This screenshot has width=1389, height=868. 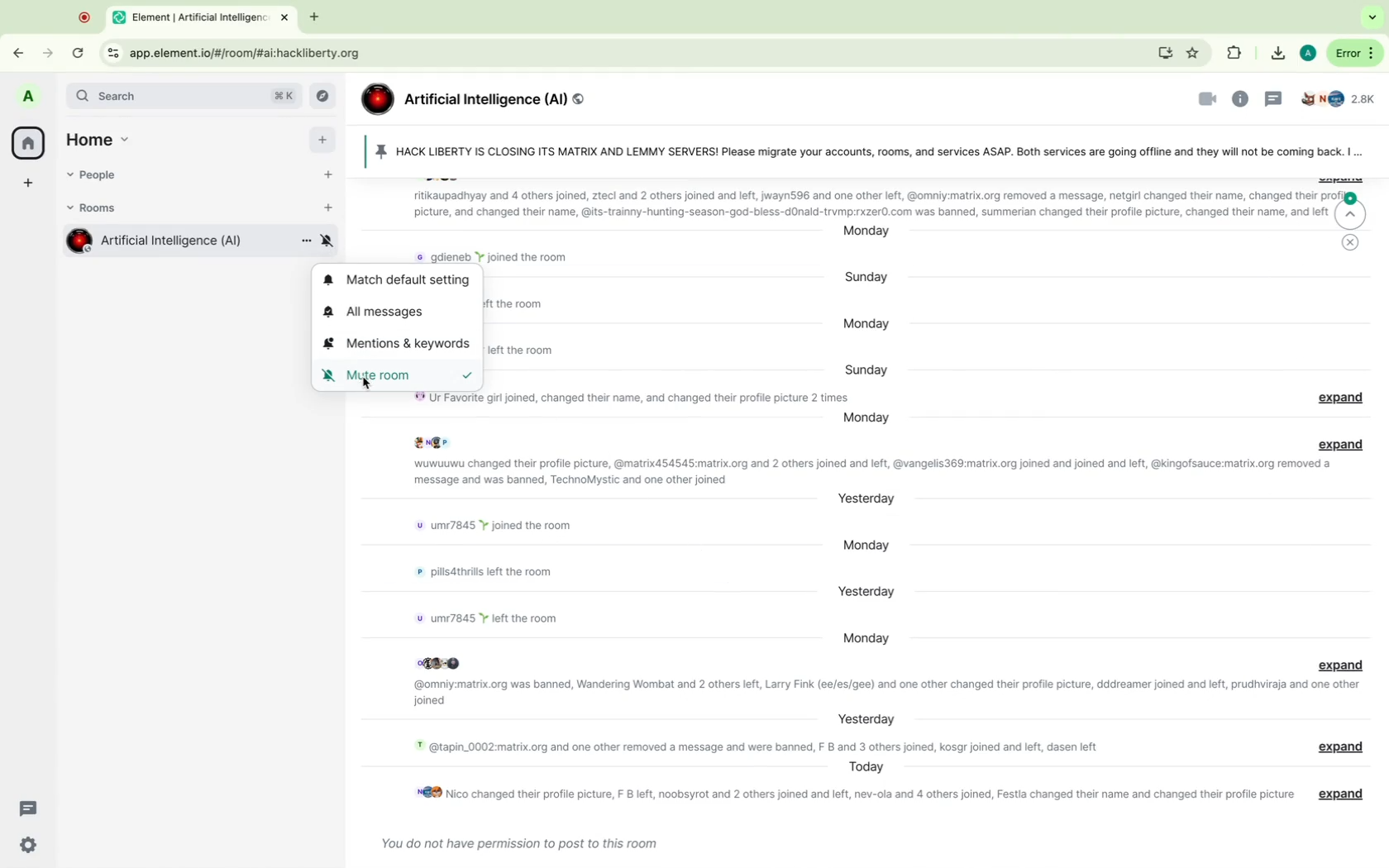 What do you see at coordinates (110, 51) in the screenshot?
I see `view site info` at bounding box center [110, 51].